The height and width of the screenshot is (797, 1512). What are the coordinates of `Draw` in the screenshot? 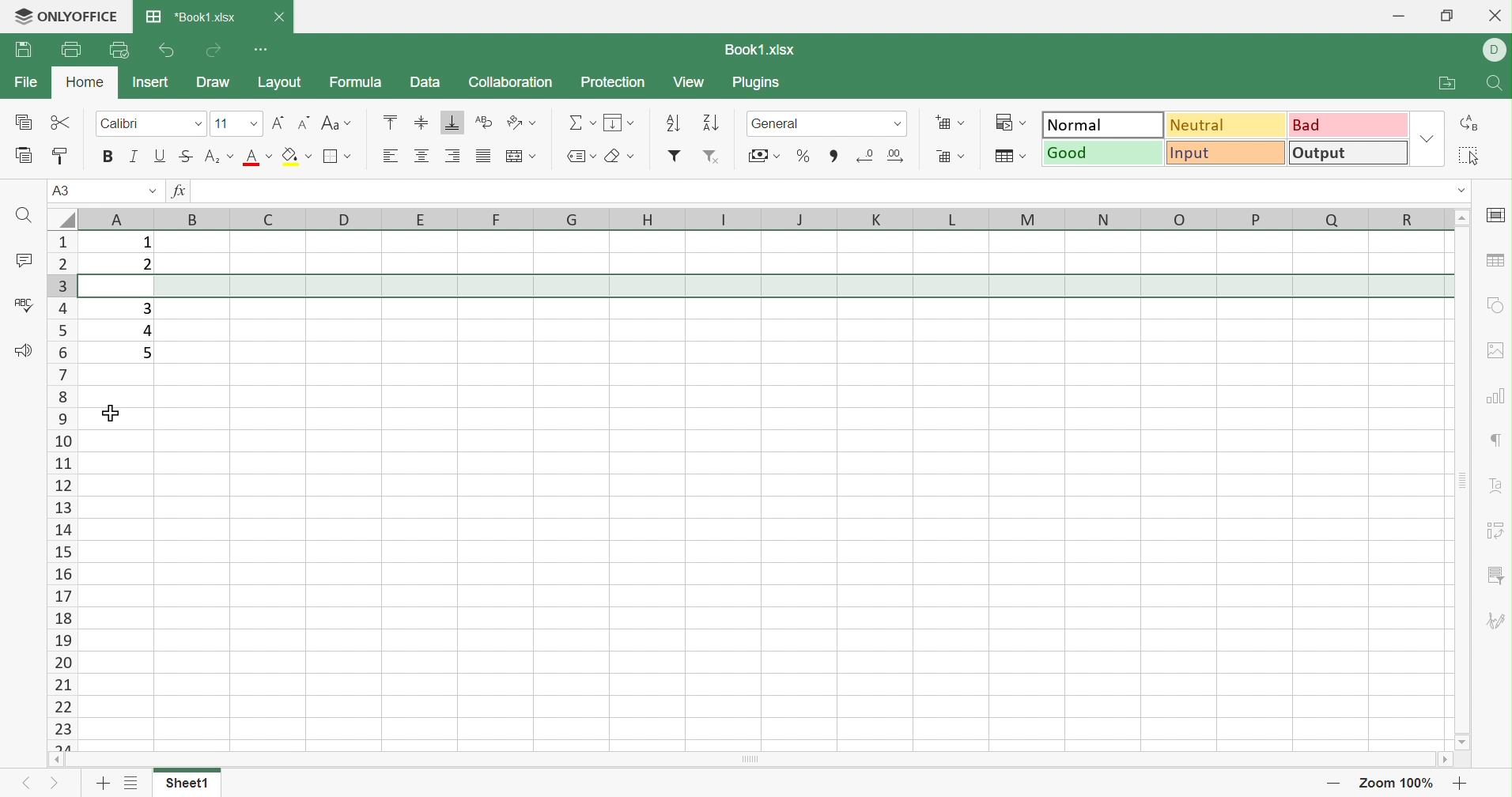 It's located at (214, 83).